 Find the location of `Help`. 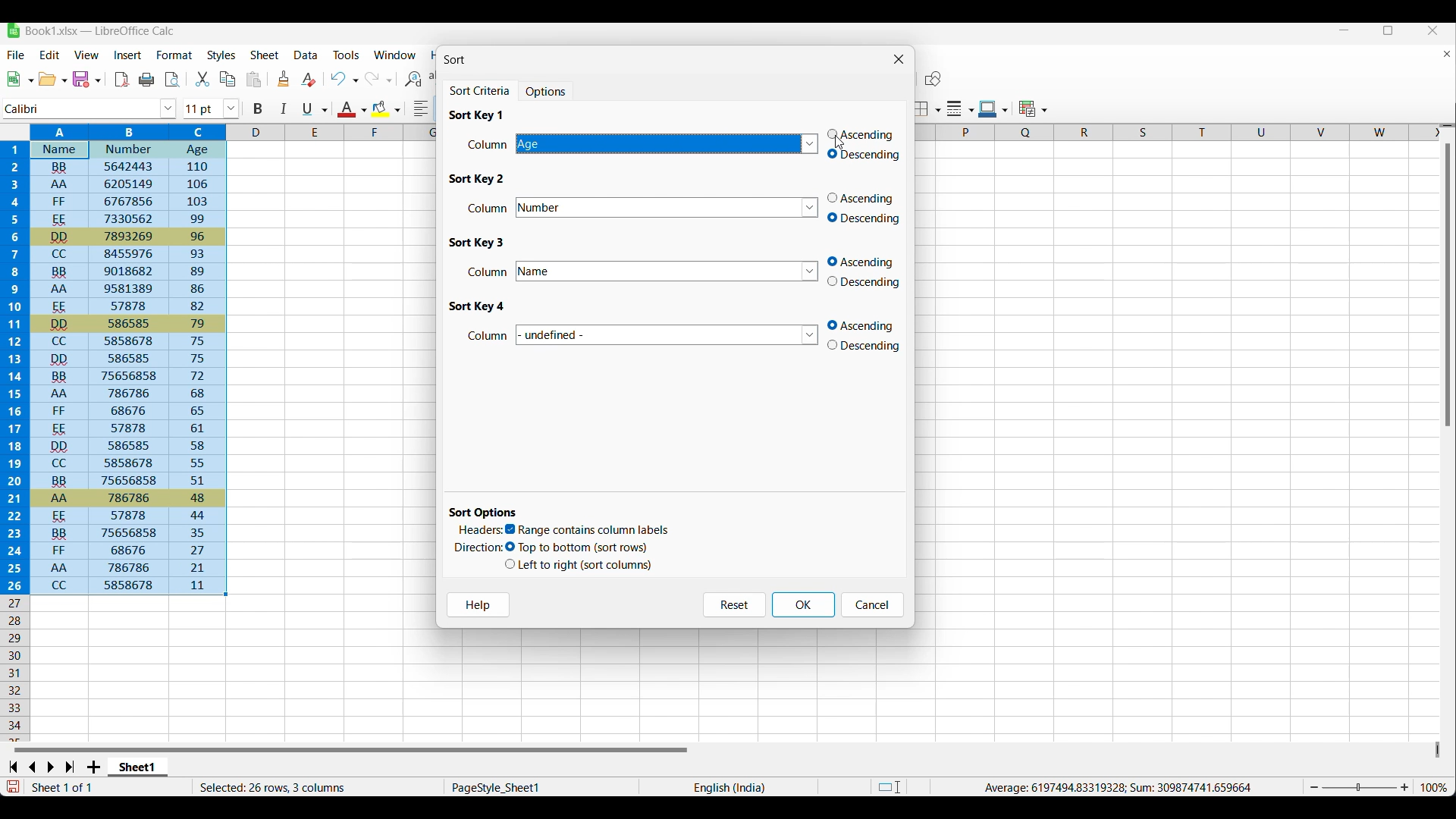

Help is located at coordinates (479, 604).